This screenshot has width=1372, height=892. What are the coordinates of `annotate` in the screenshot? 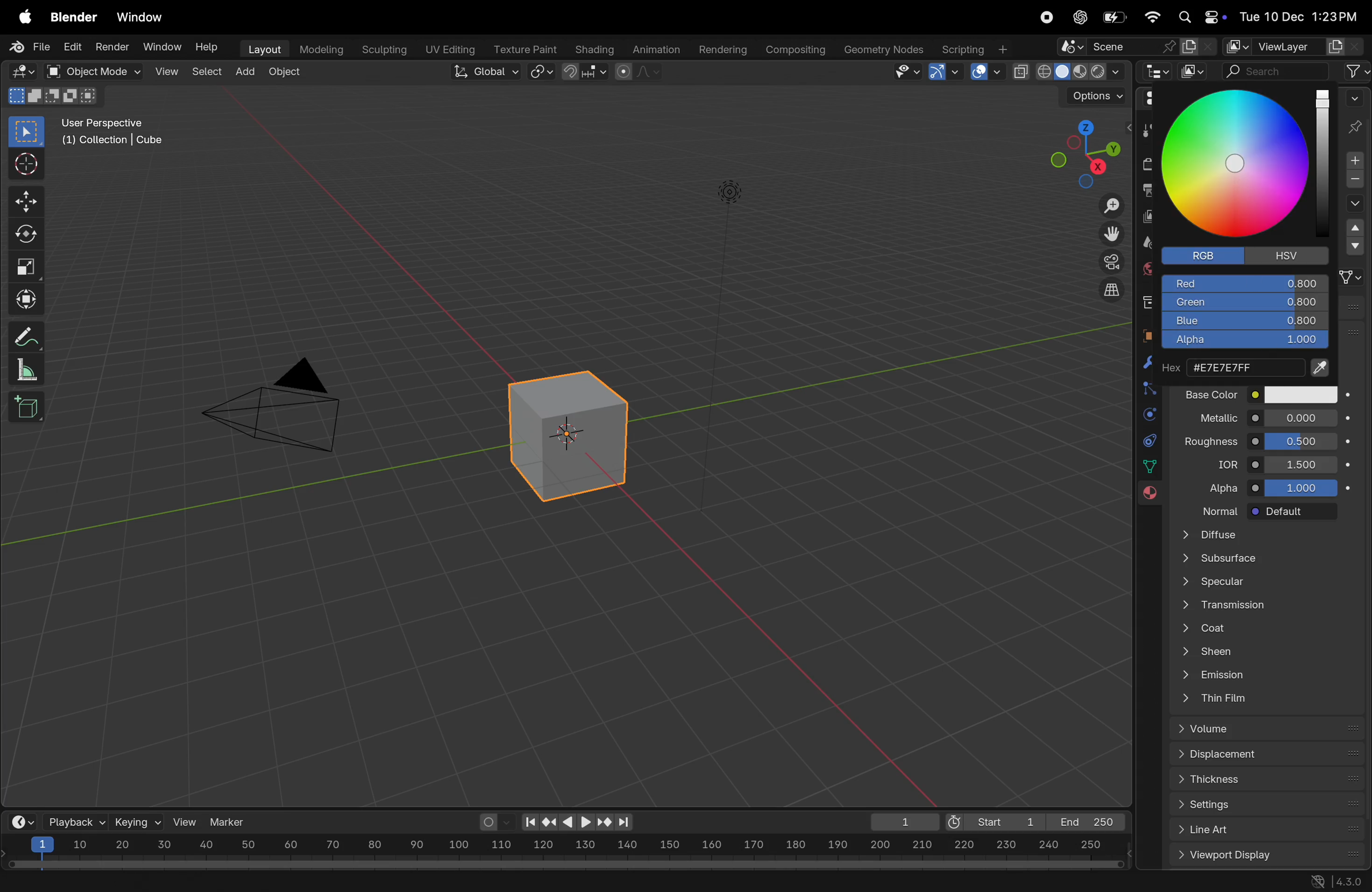 It's located at (22, 336).